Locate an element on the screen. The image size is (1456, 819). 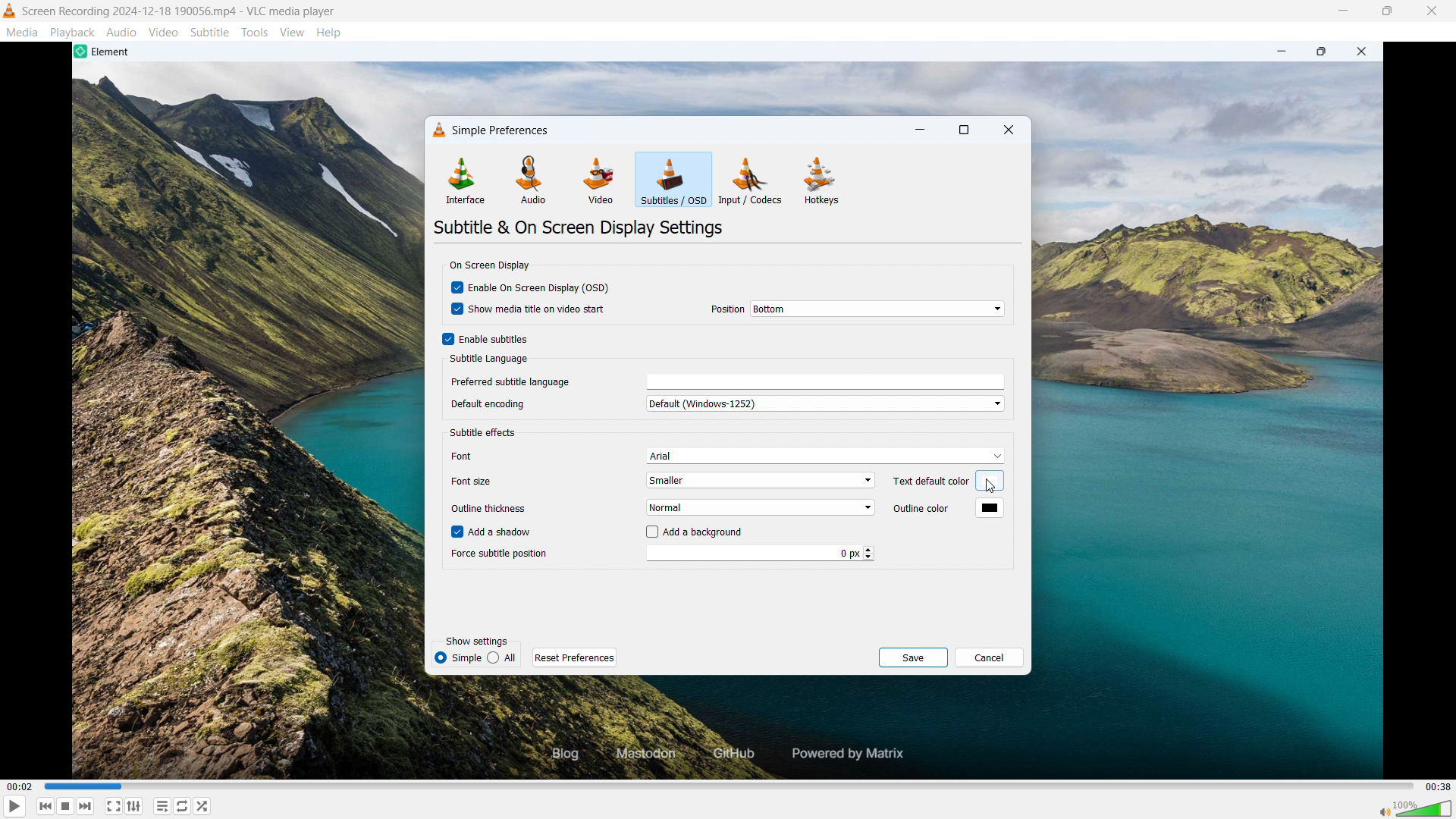
Close dialogue box  is located at coordinates (1009, 130).